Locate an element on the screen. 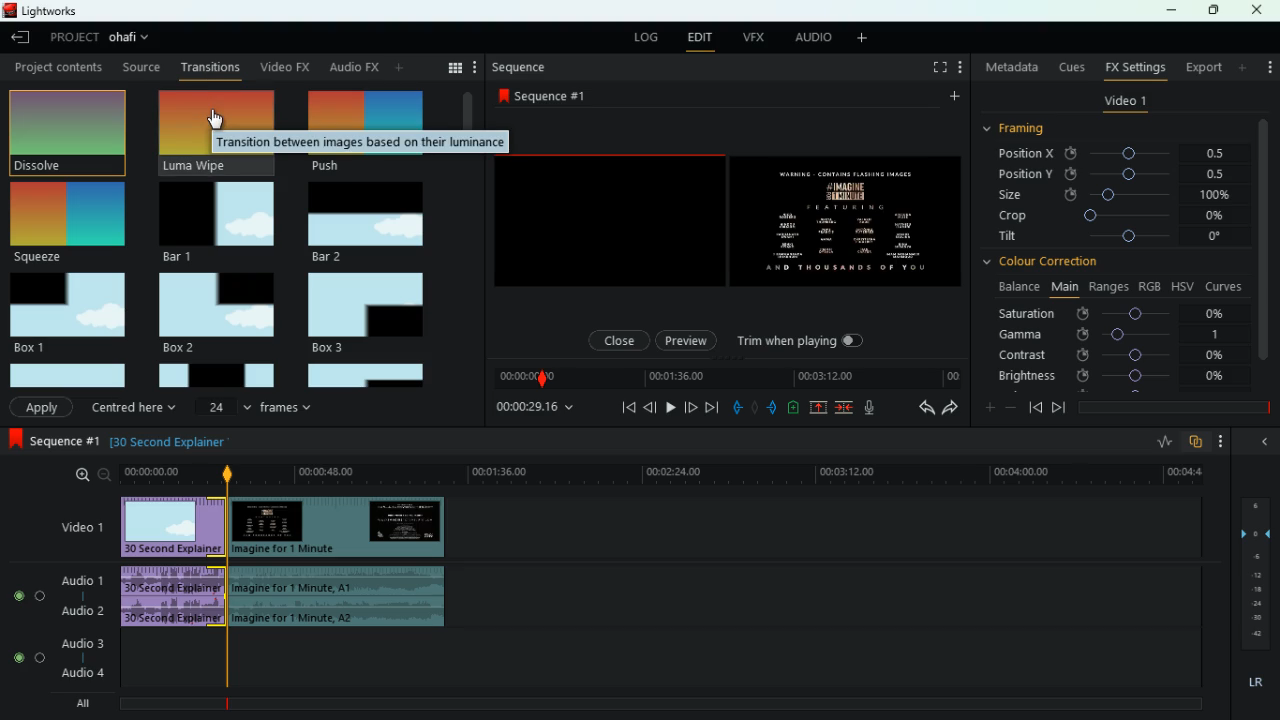 This screenshot has width=1280, height=720. full screen is located at coordinates (940, 69).